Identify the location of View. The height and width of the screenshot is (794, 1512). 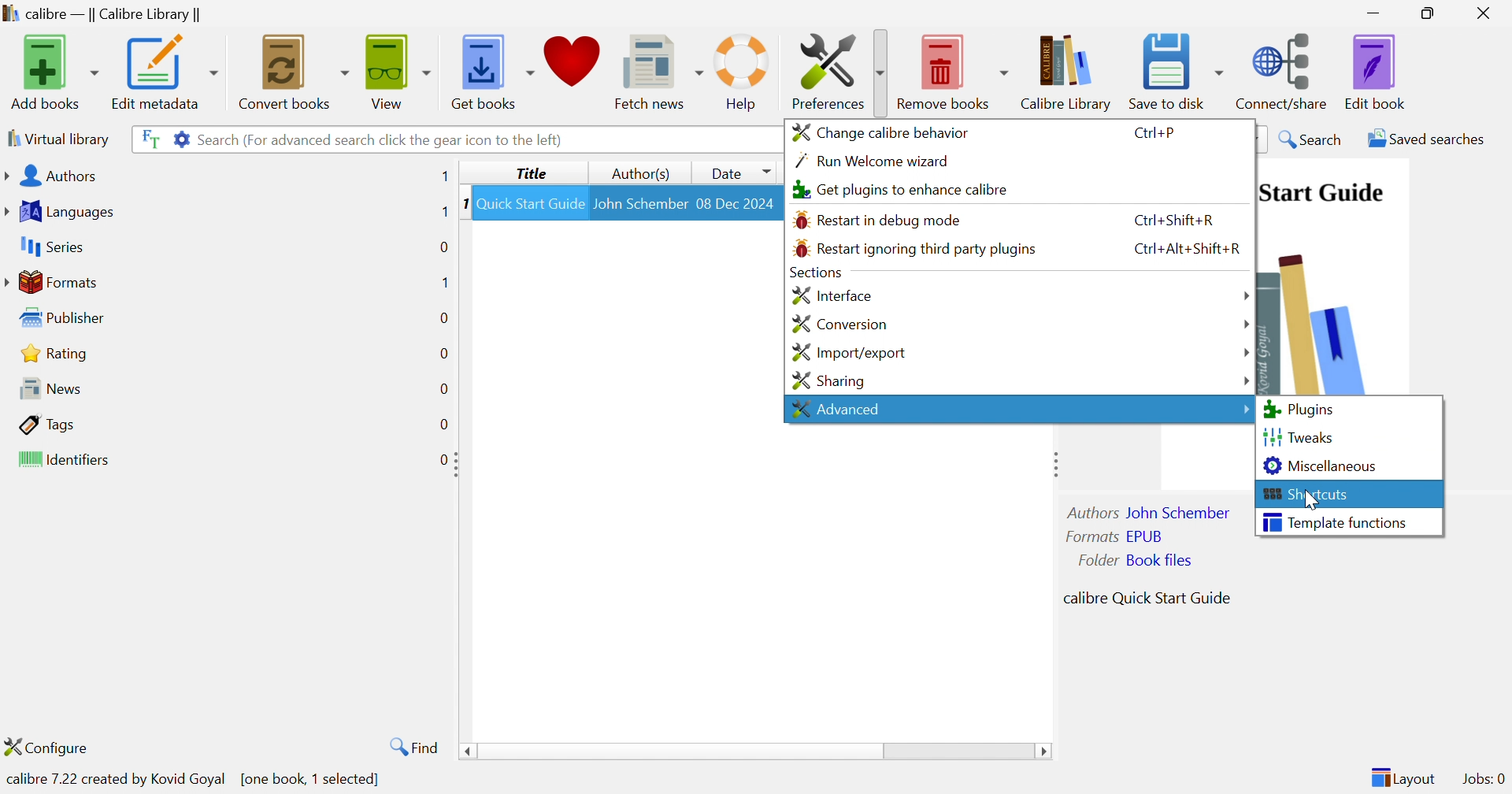
(395, 69).